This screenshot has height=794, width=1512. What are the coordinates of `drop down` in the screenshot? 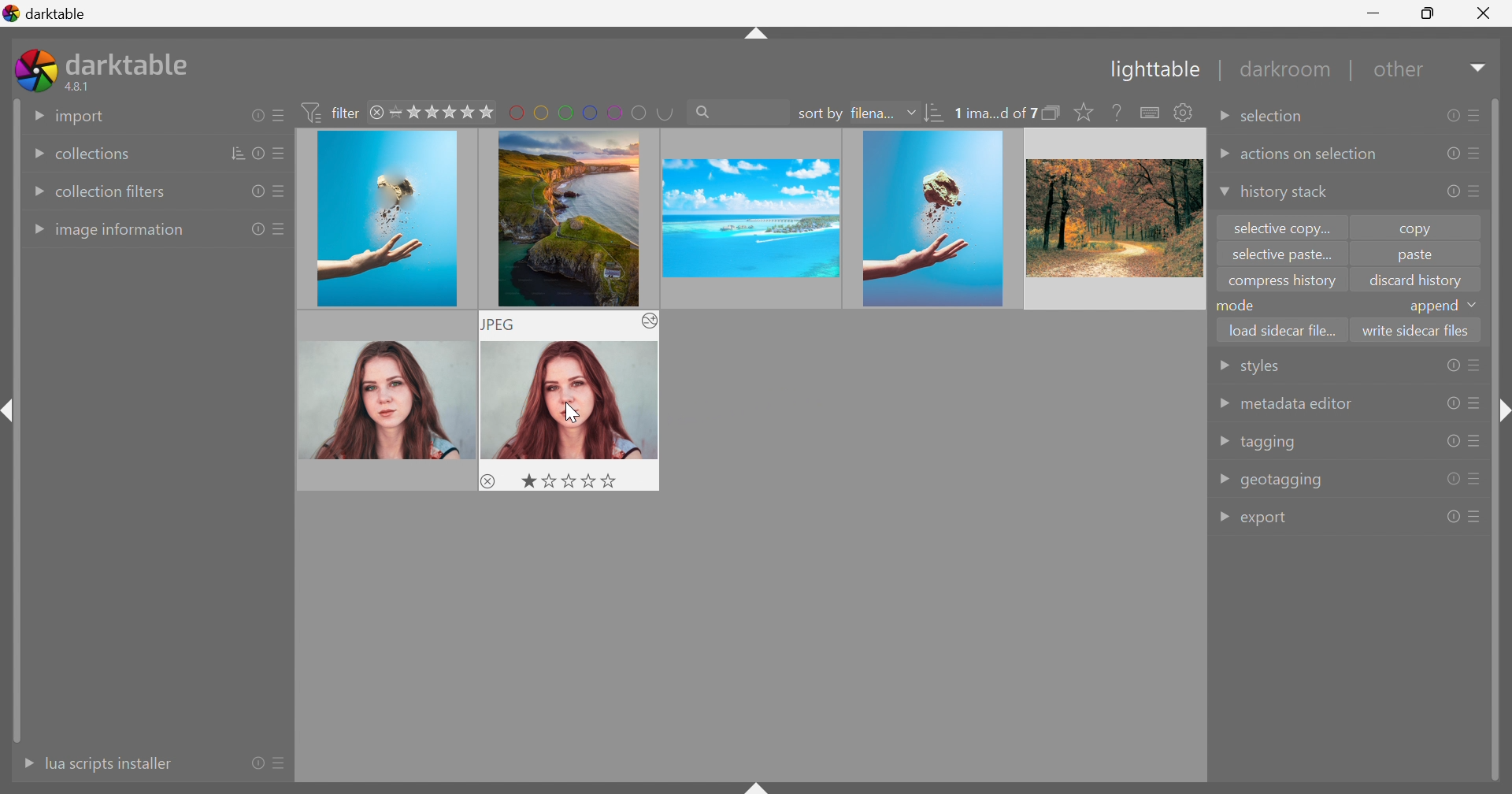 It's located at (1476, 305).